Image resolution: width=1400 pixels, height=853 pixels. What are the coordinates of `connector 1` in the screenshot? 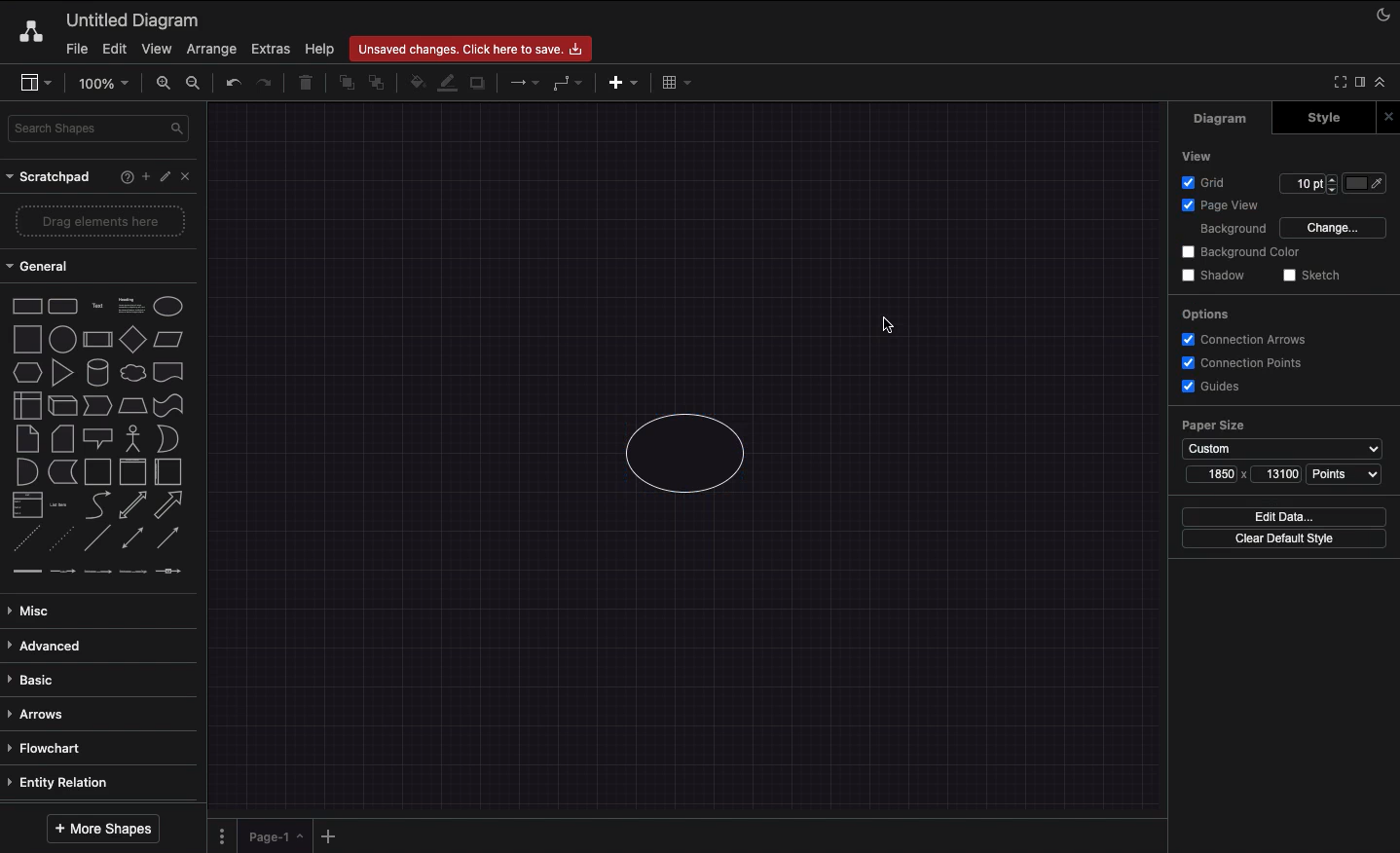 It's located at (24, 572).